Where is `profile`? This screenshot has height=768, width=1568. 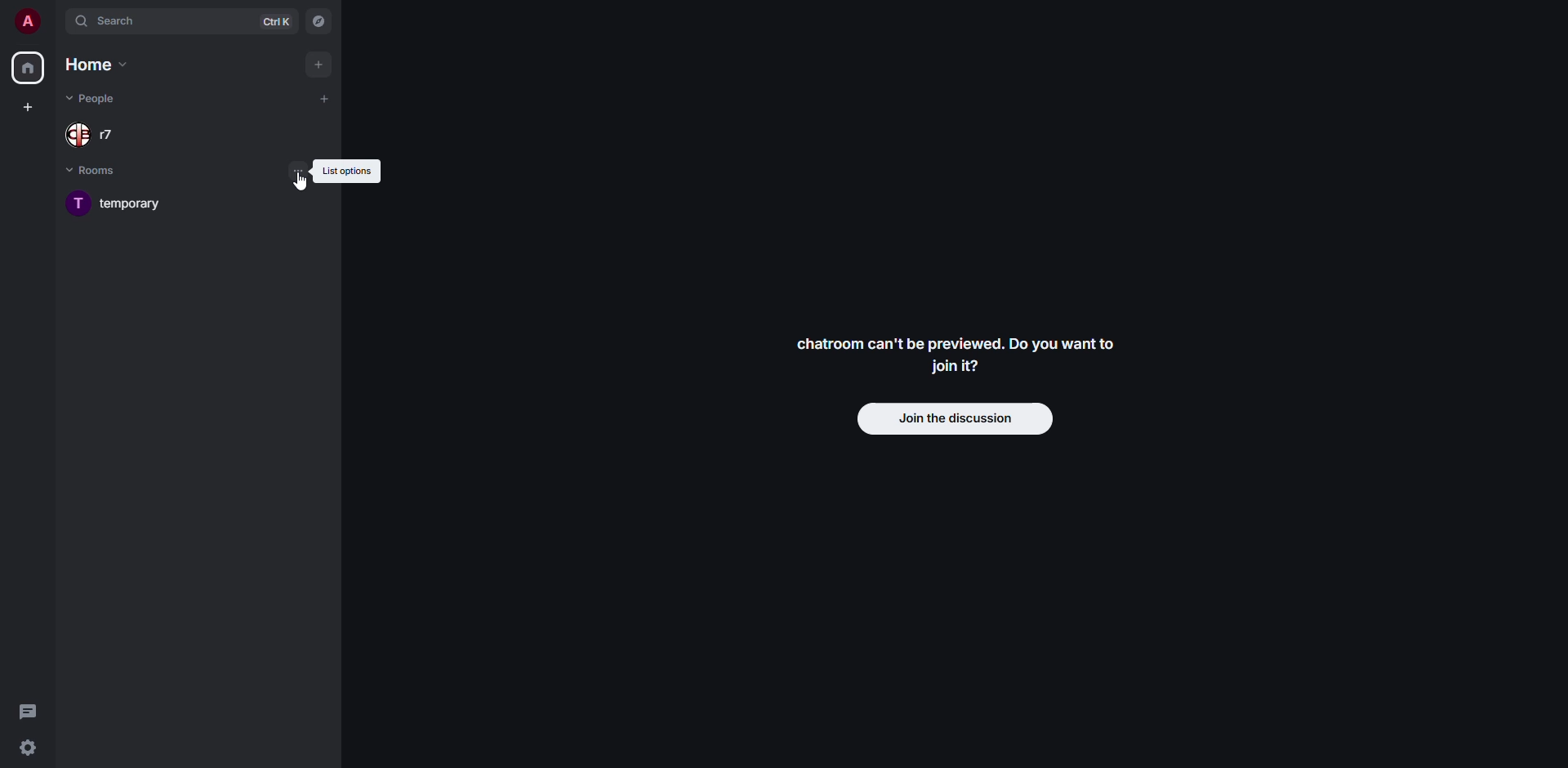 profile is located at coordinates (27, 20).